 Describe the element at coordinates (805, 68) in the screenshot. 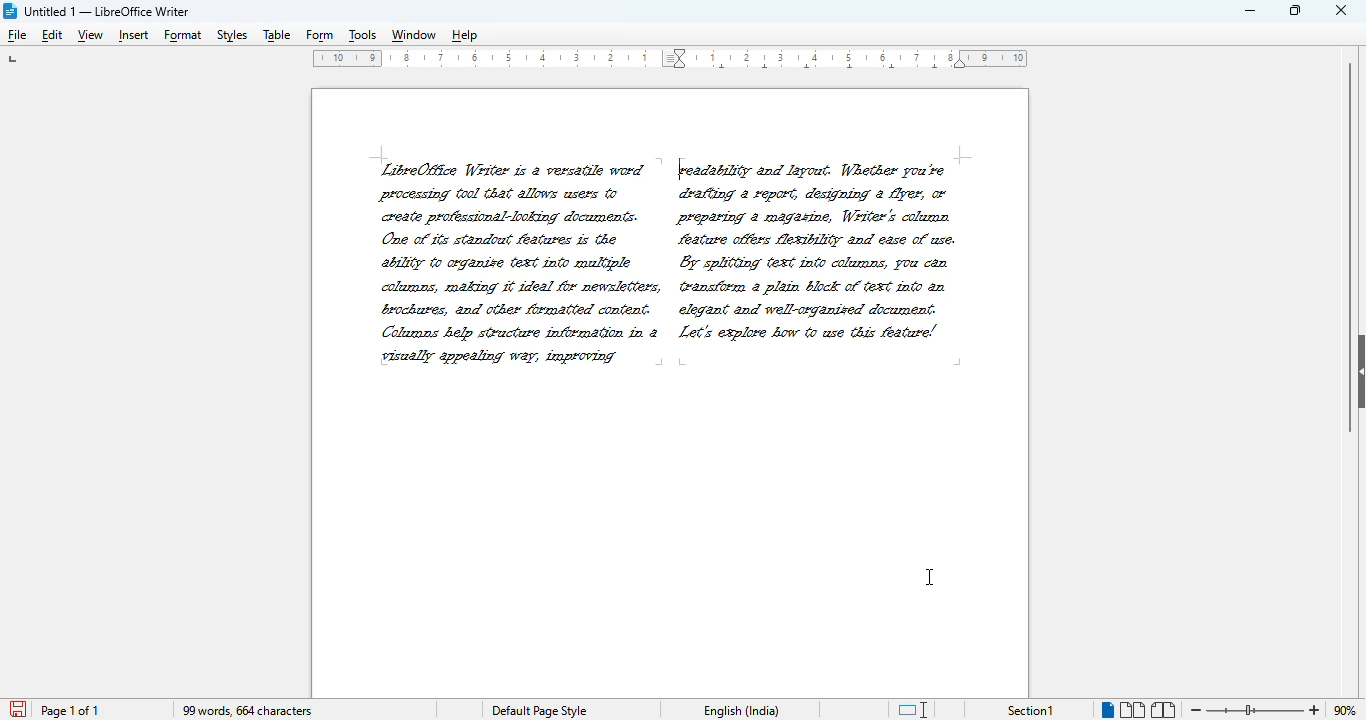

I see `center tab` at that location.